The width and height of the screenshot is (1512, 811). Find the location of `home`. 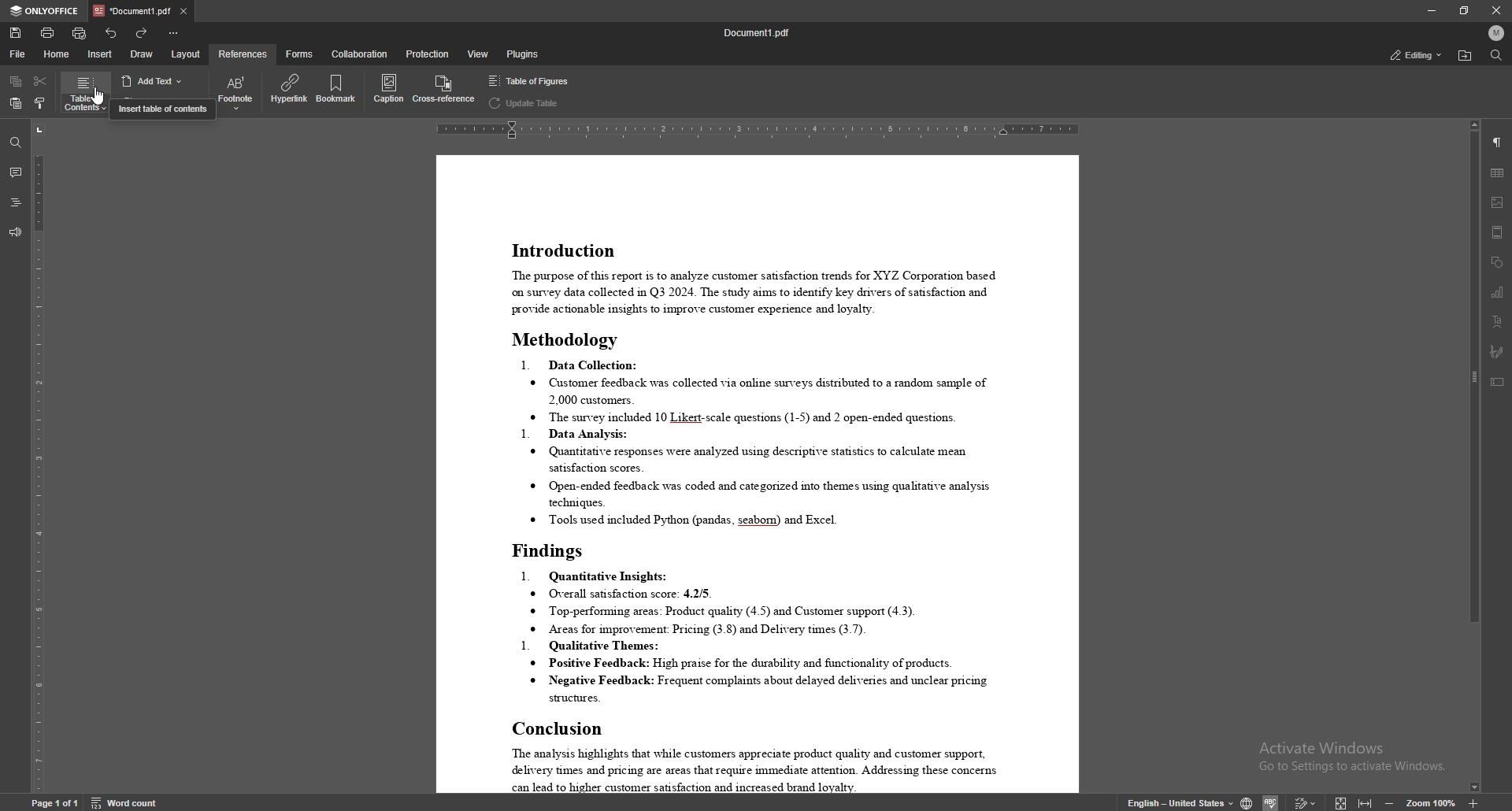

home is located at coordinates (56, 54).